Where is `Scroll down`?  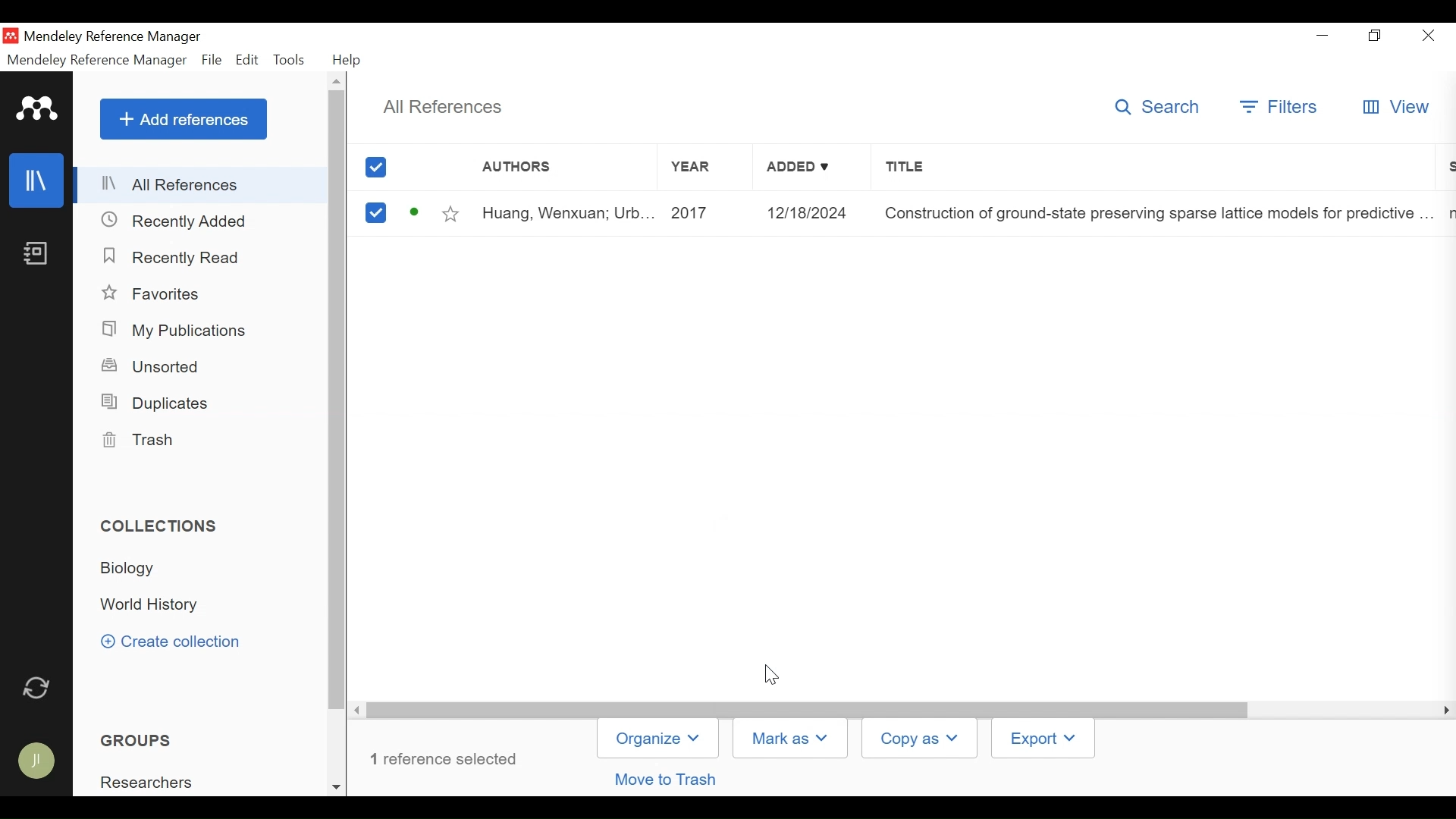 Scroll down is located at coordinates (336, 787).